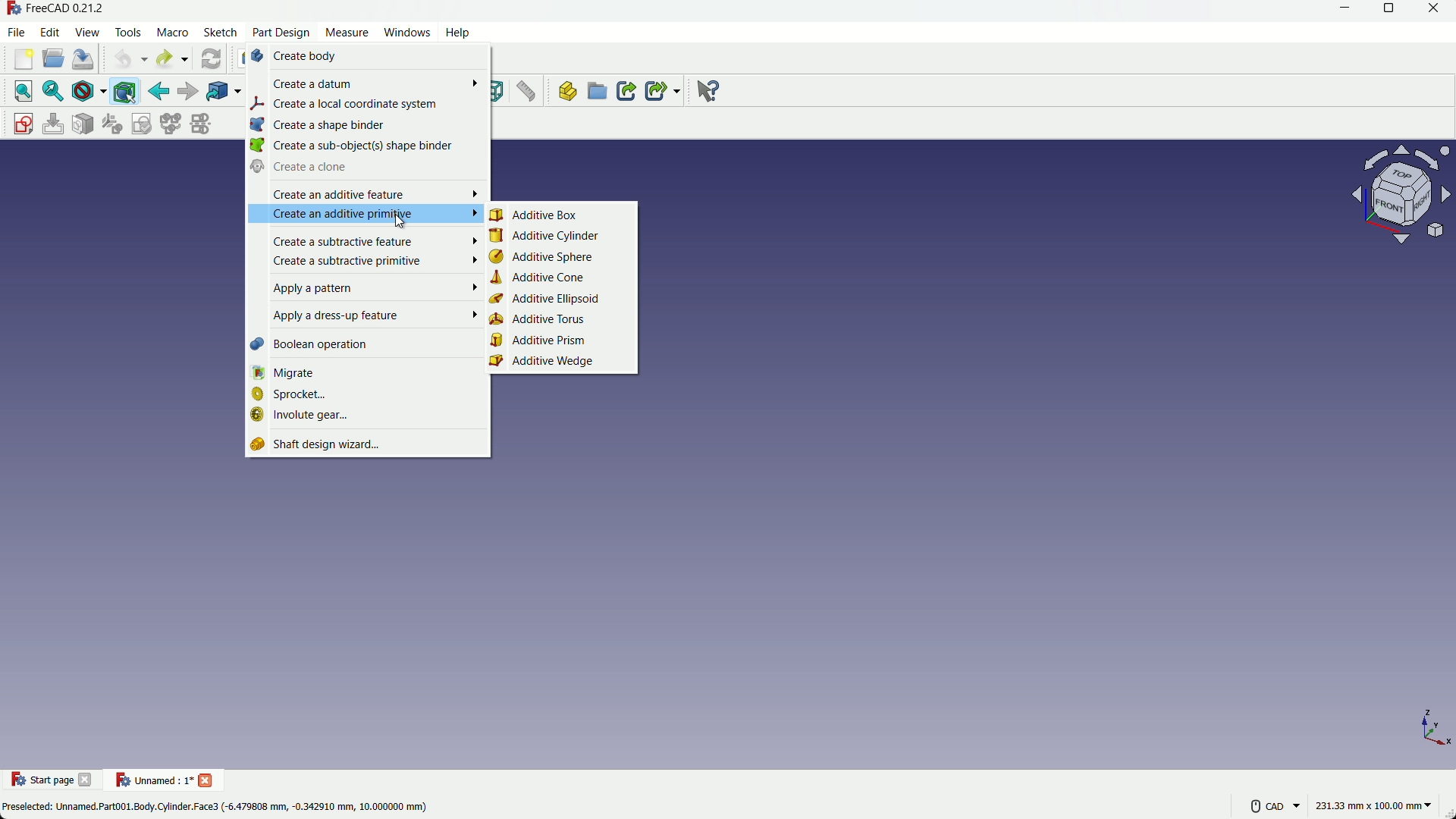  What do you see at coordinates (24, 90) in the screenshot?
I see `fit all` at bounding box center [24, 90].